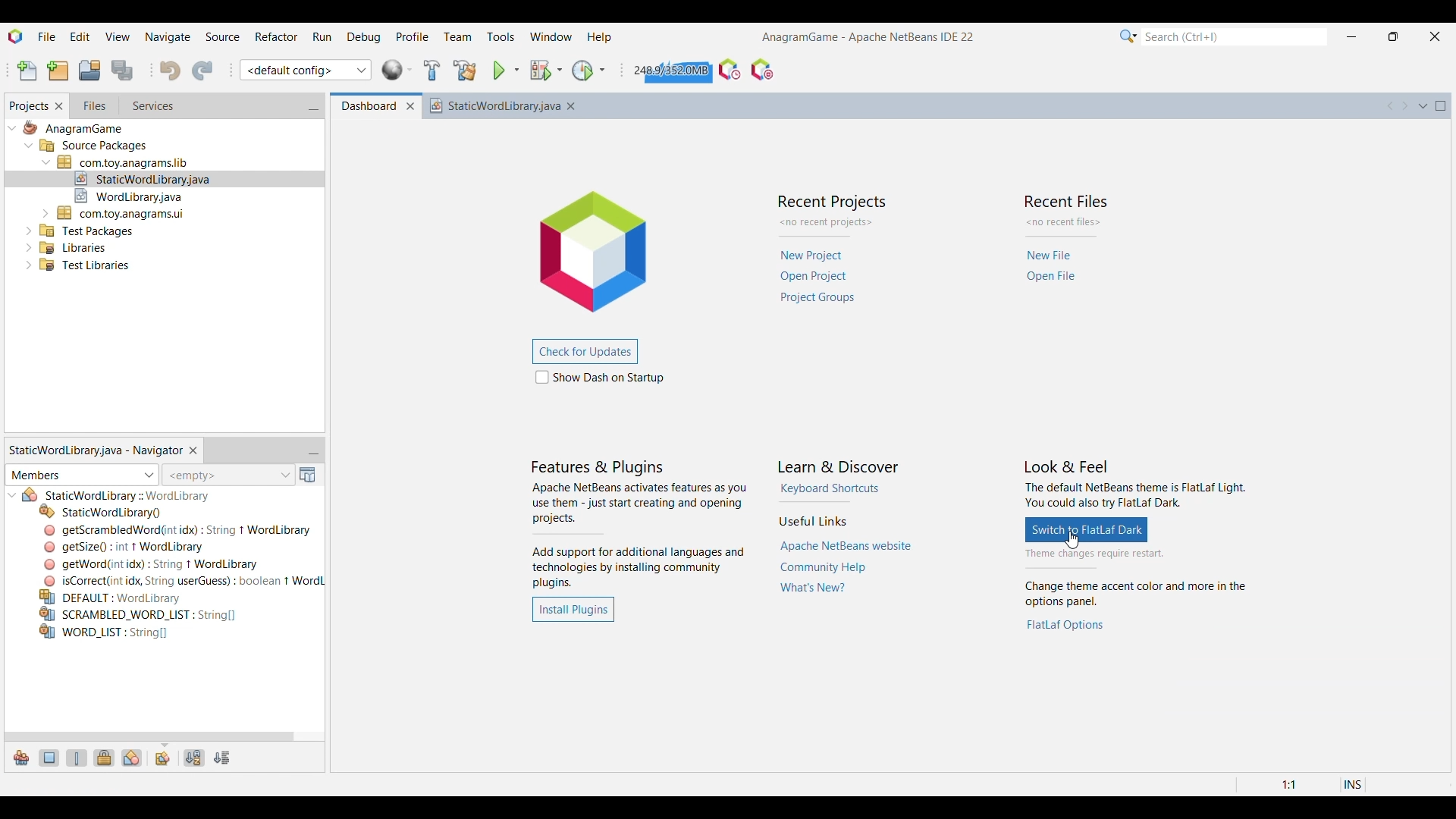 The height and width of the screenshot is (819, 1456). I want to click on Save all, so click(124, 71).